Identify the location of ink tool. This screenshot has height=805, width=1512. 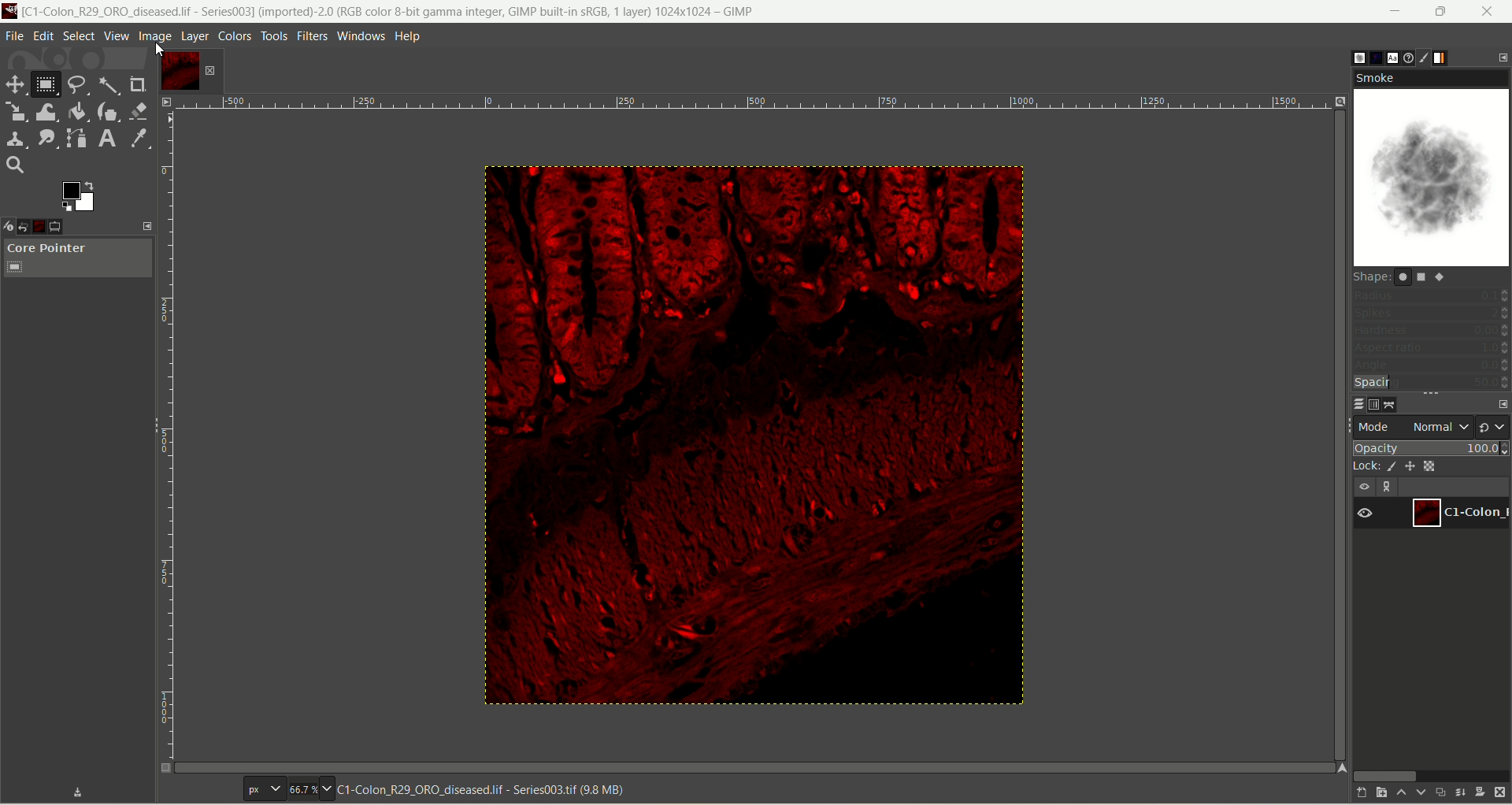
(110, 112).